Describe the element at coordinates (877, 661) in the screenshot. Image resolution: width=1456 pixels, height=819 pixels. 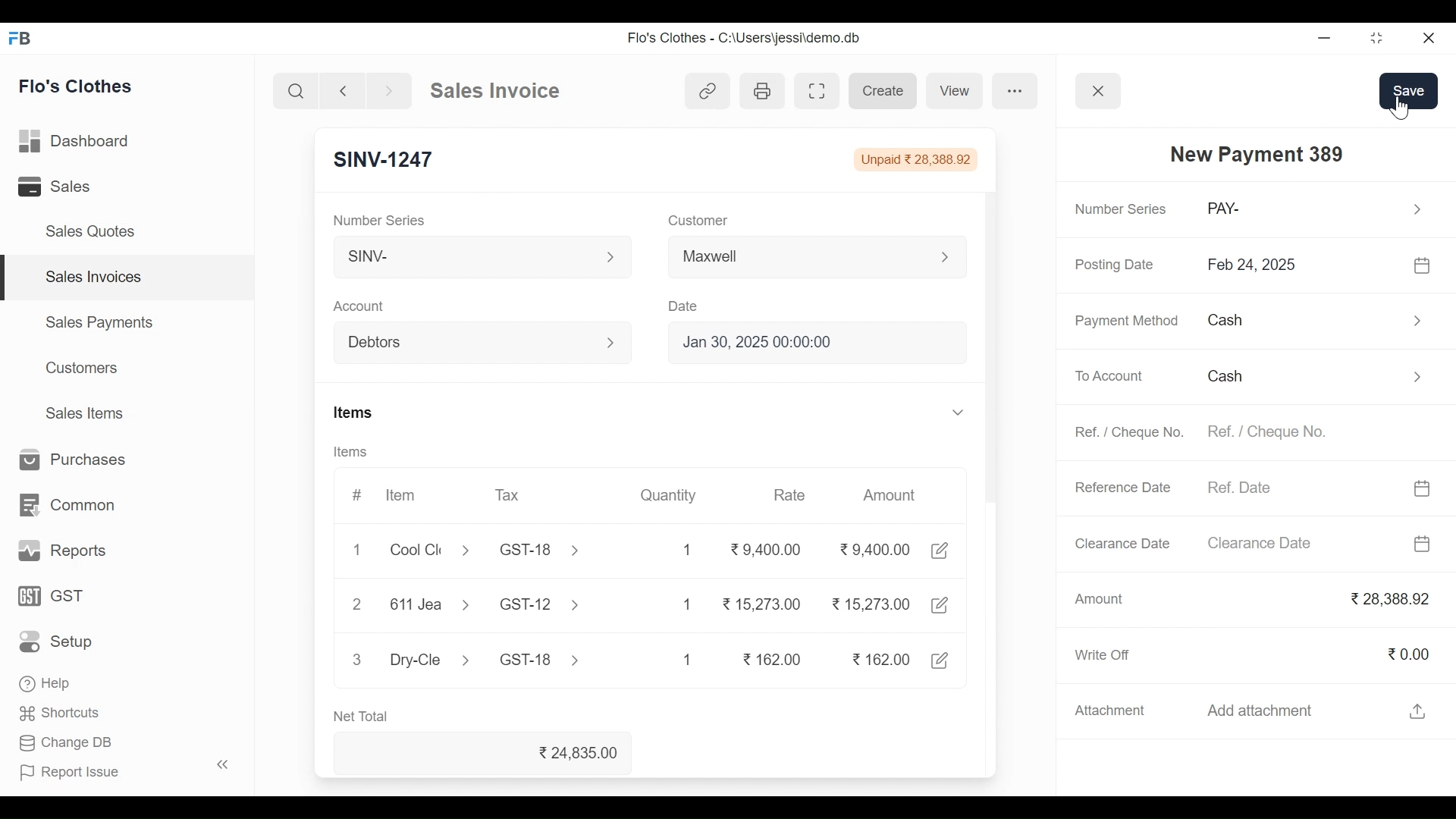
I see `162.00` at that location.